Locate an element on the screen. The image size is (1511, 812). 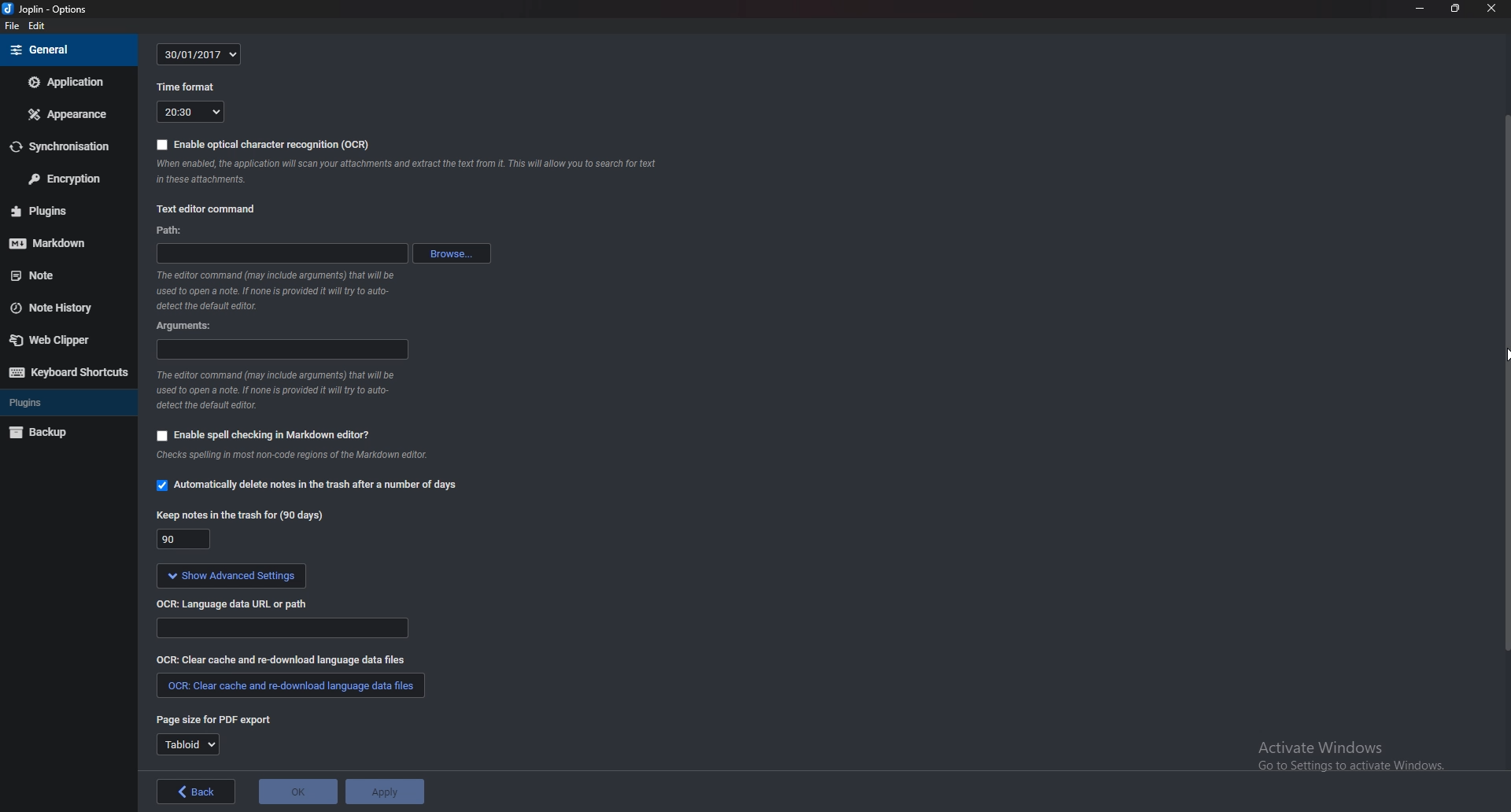
20:30 is located at coordinates (189, 113).